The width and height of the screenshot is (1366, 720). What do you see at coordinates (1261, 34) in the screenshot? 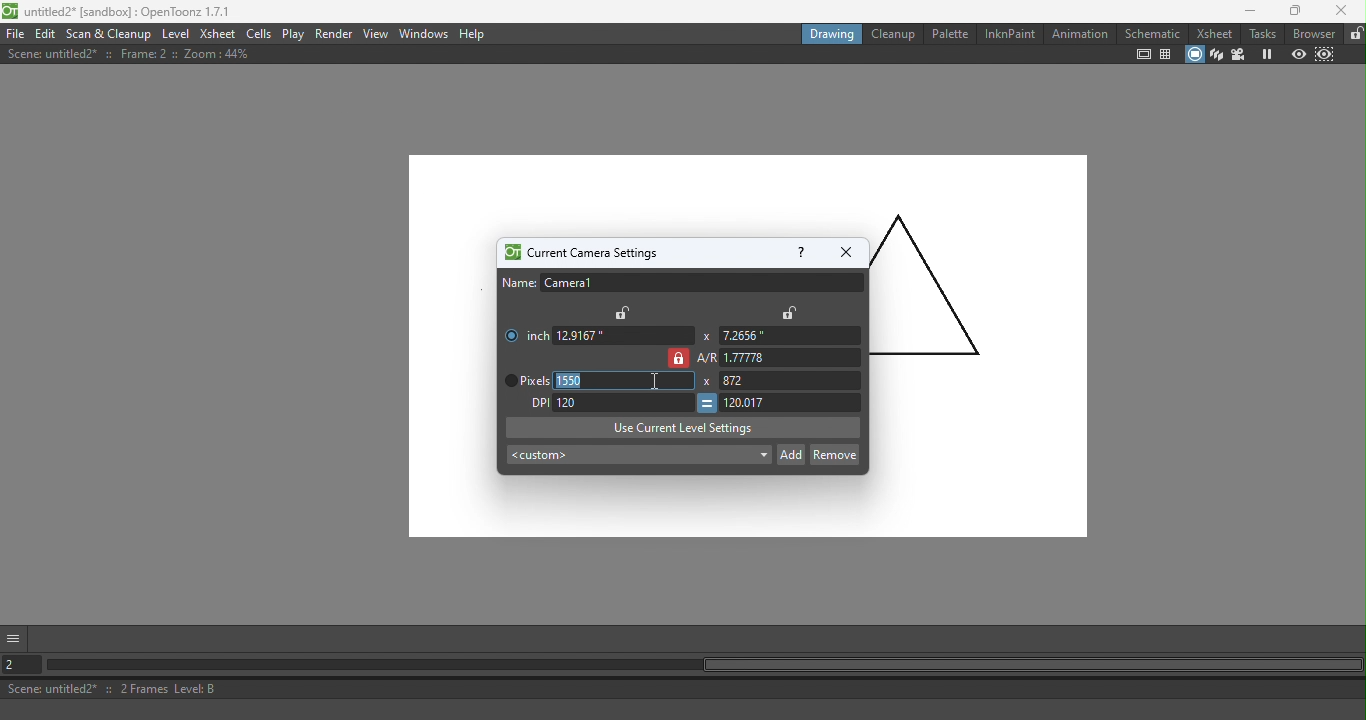
I see `Tasks` at bounding box center [1261, 34].